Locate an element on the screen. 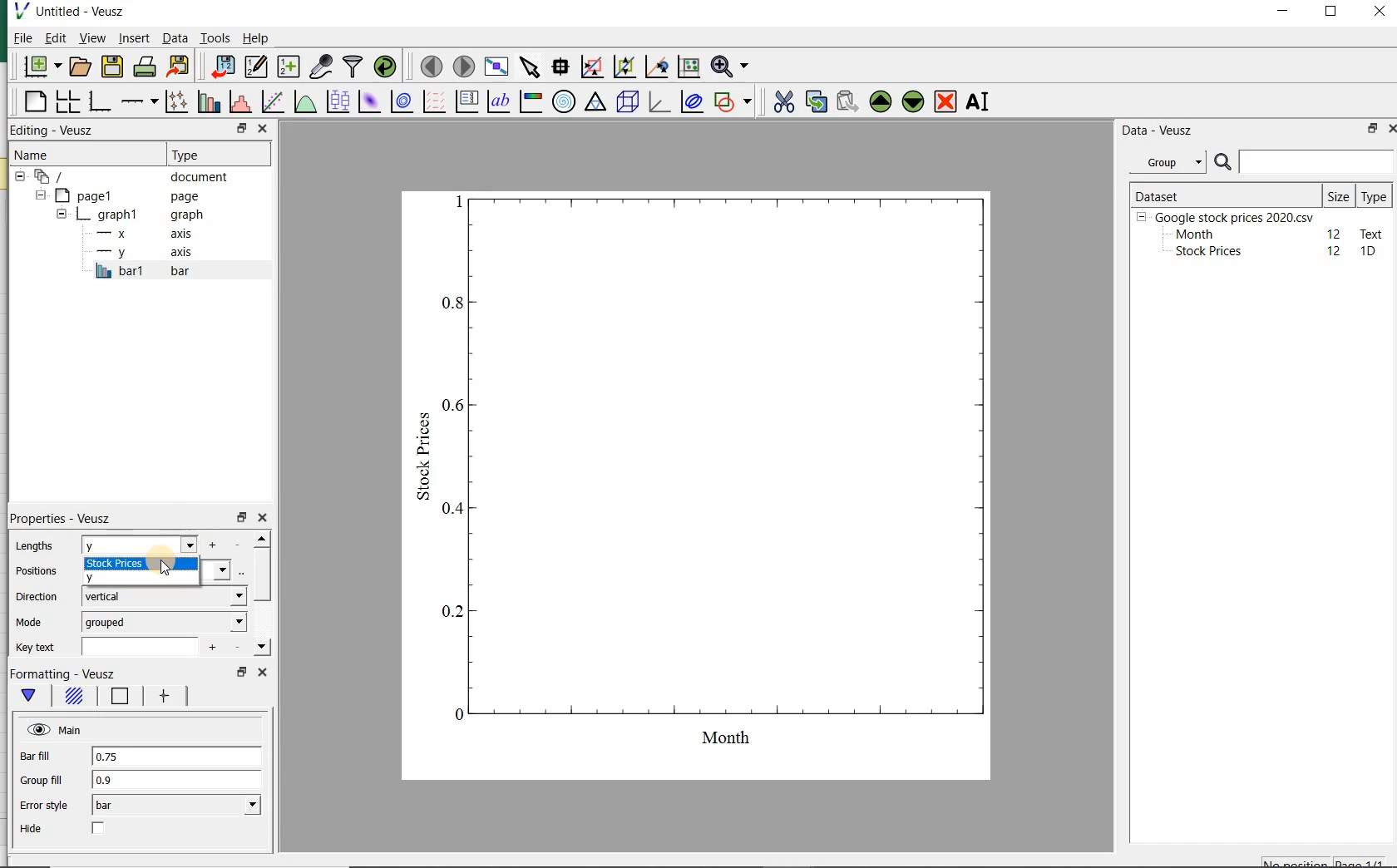  close is located at coordinates (262, 128).